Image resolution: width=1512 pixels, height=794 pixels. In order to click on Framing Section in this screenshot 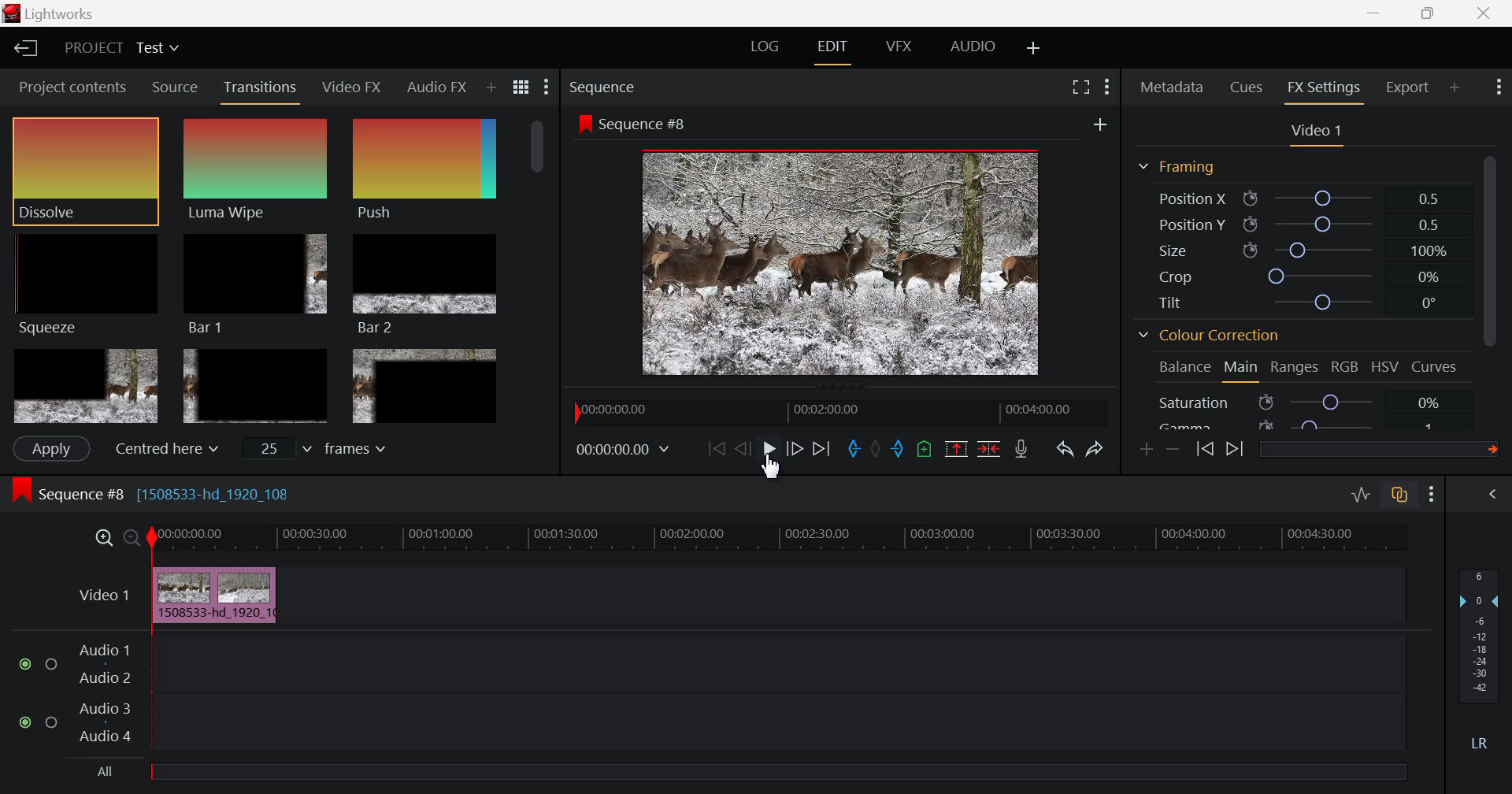, I will do `click(1177, 168)`.